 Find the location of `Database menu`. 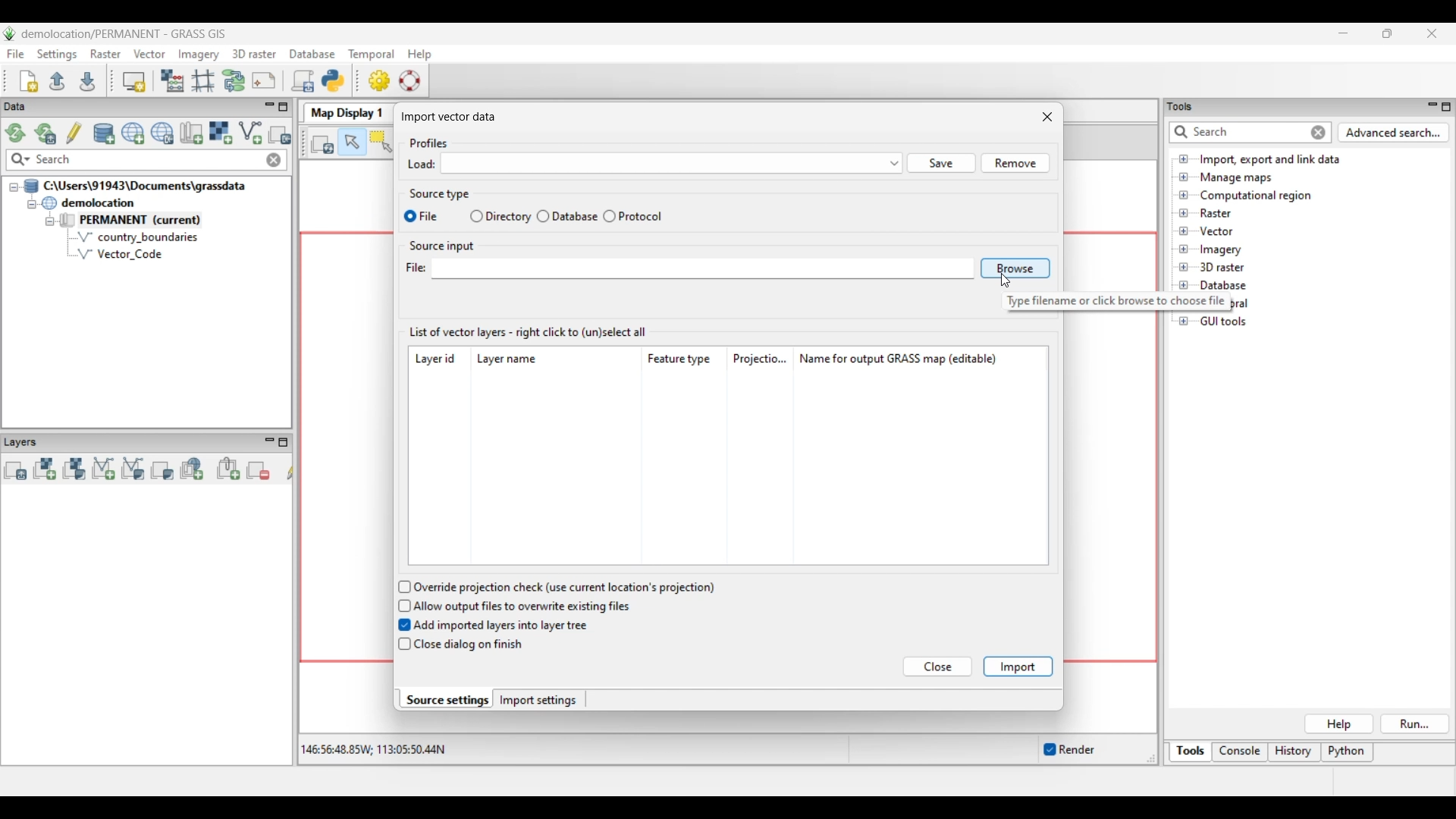

Database menu is located at coordinates (312, 55).